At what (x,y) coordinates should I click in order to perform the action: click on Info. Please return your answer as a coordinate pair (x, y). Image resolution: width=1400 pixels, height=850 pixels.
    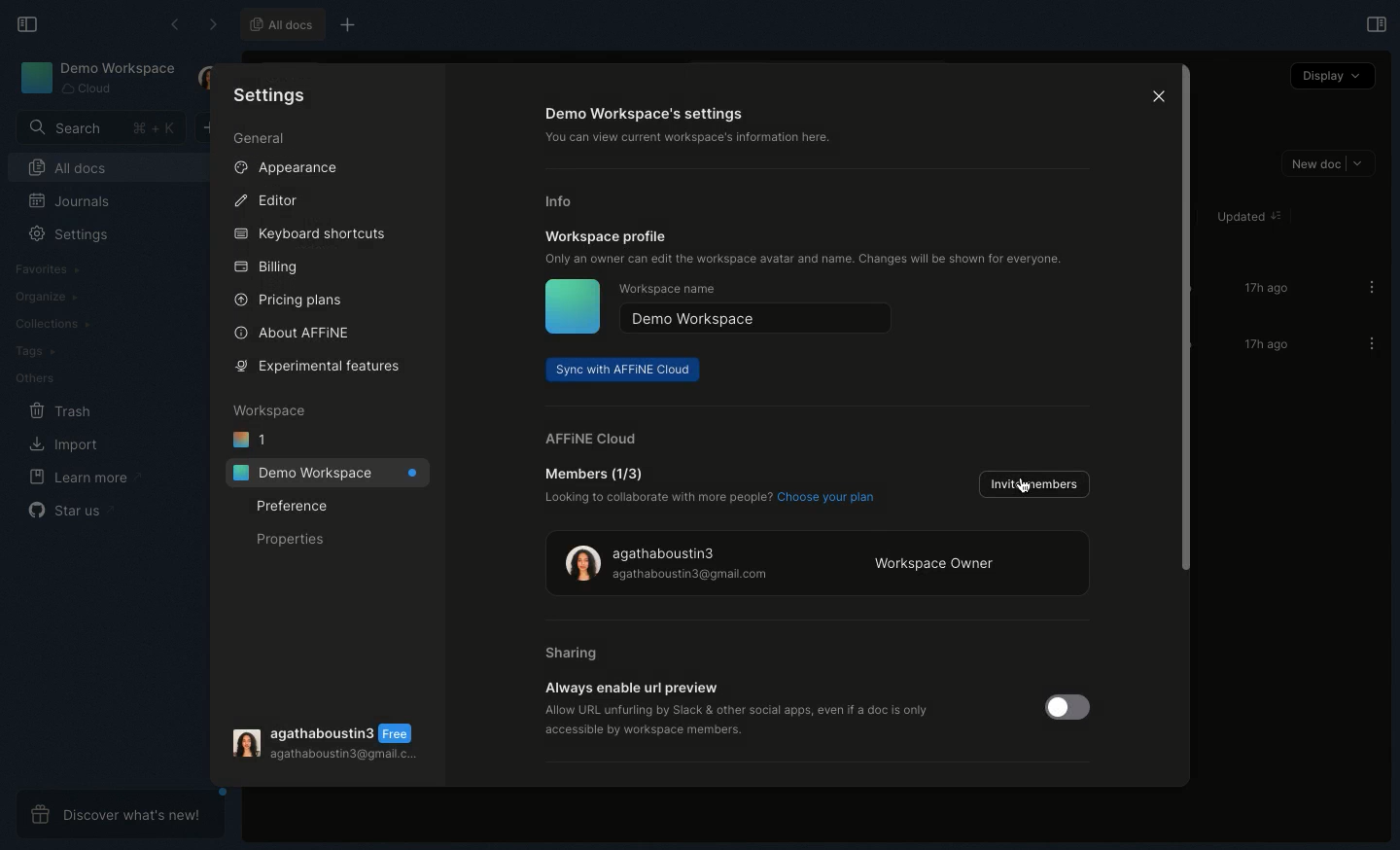
    Looking at the image, I should click on (566, 201).